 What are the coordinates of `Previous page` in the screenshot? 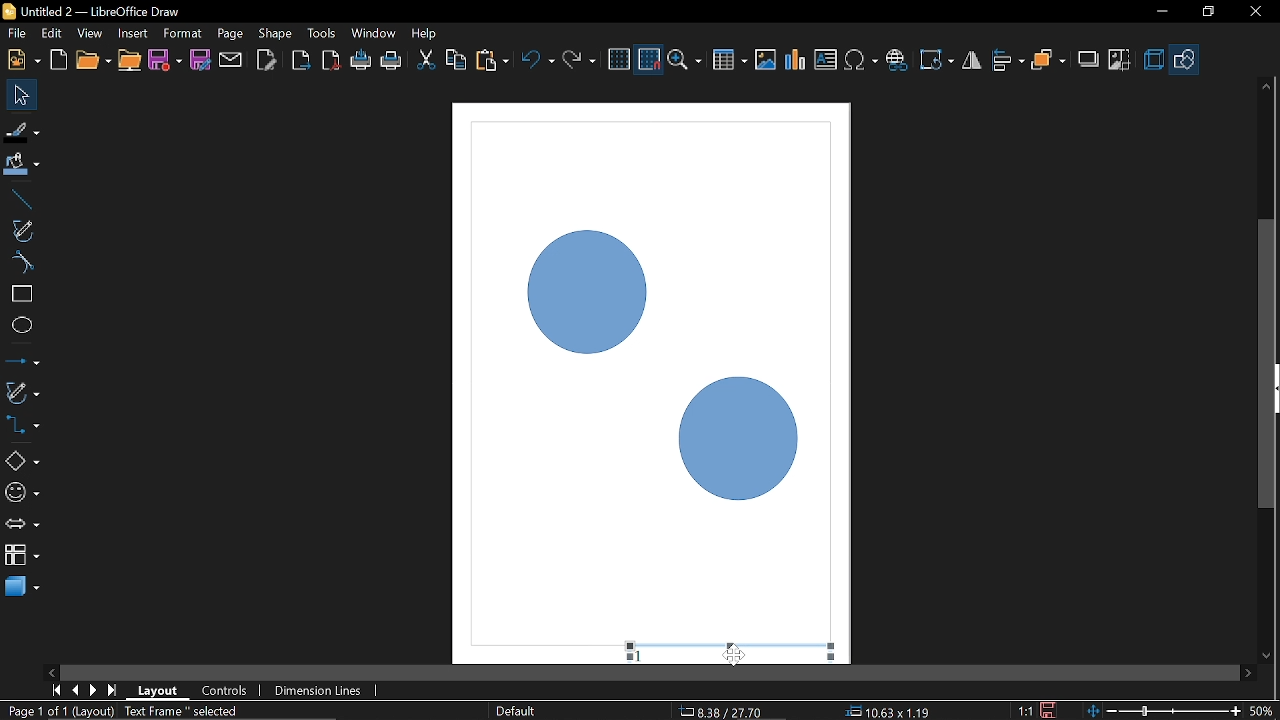 It's located at (77, 690).